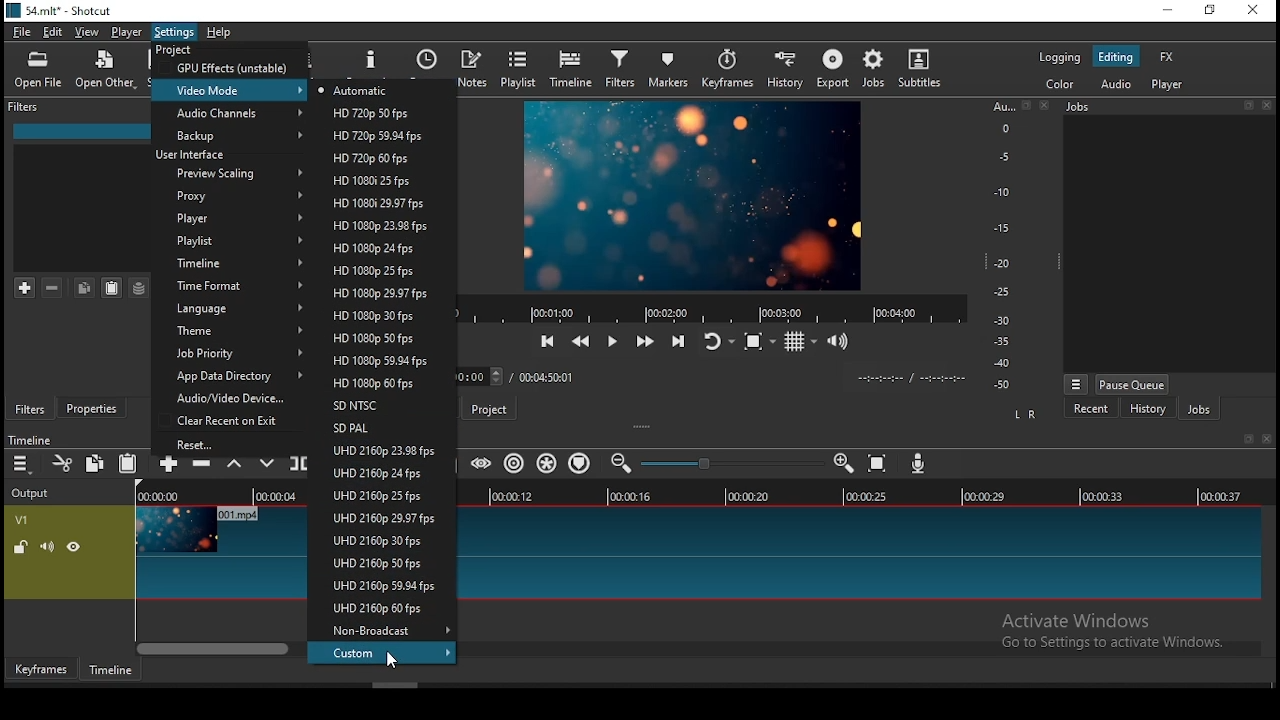 The height and width of the screenshot is (720, 1280). I want to click on resolution option, so click(379, 405).